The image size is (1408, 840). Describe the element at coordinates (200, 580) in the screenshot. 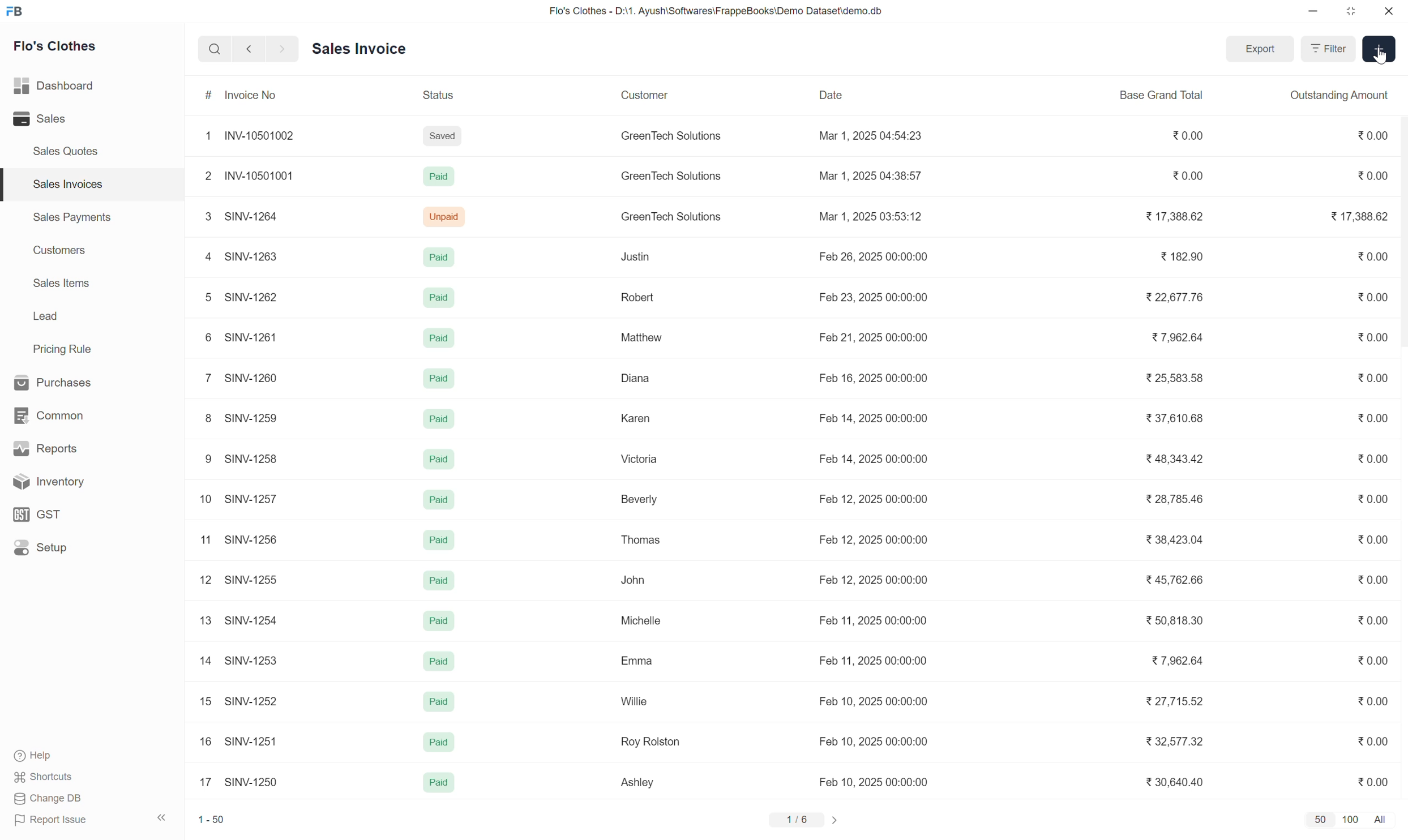

I see `12` at that location.